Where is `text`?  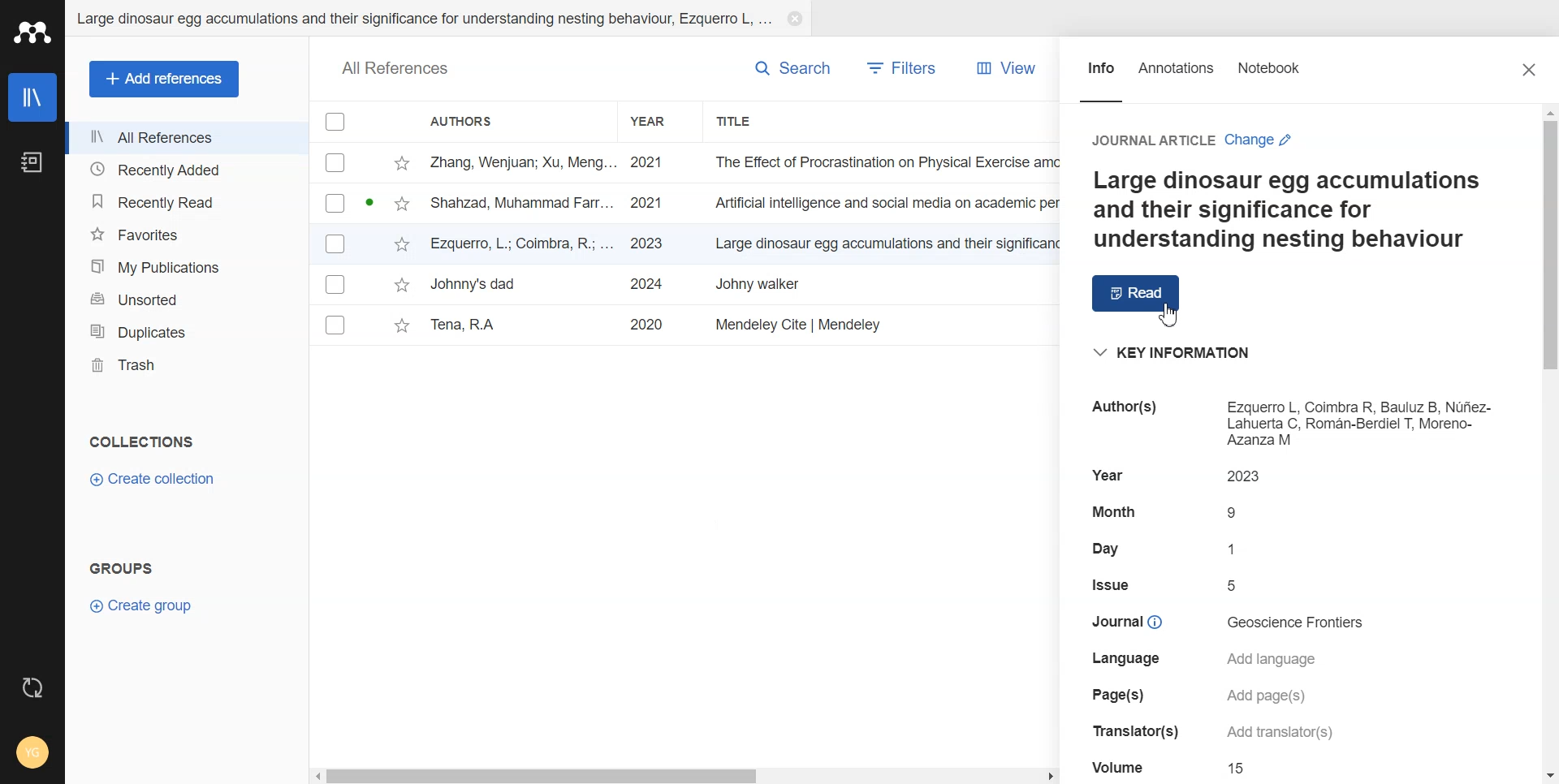
text is located at coordinates (1235, 585).